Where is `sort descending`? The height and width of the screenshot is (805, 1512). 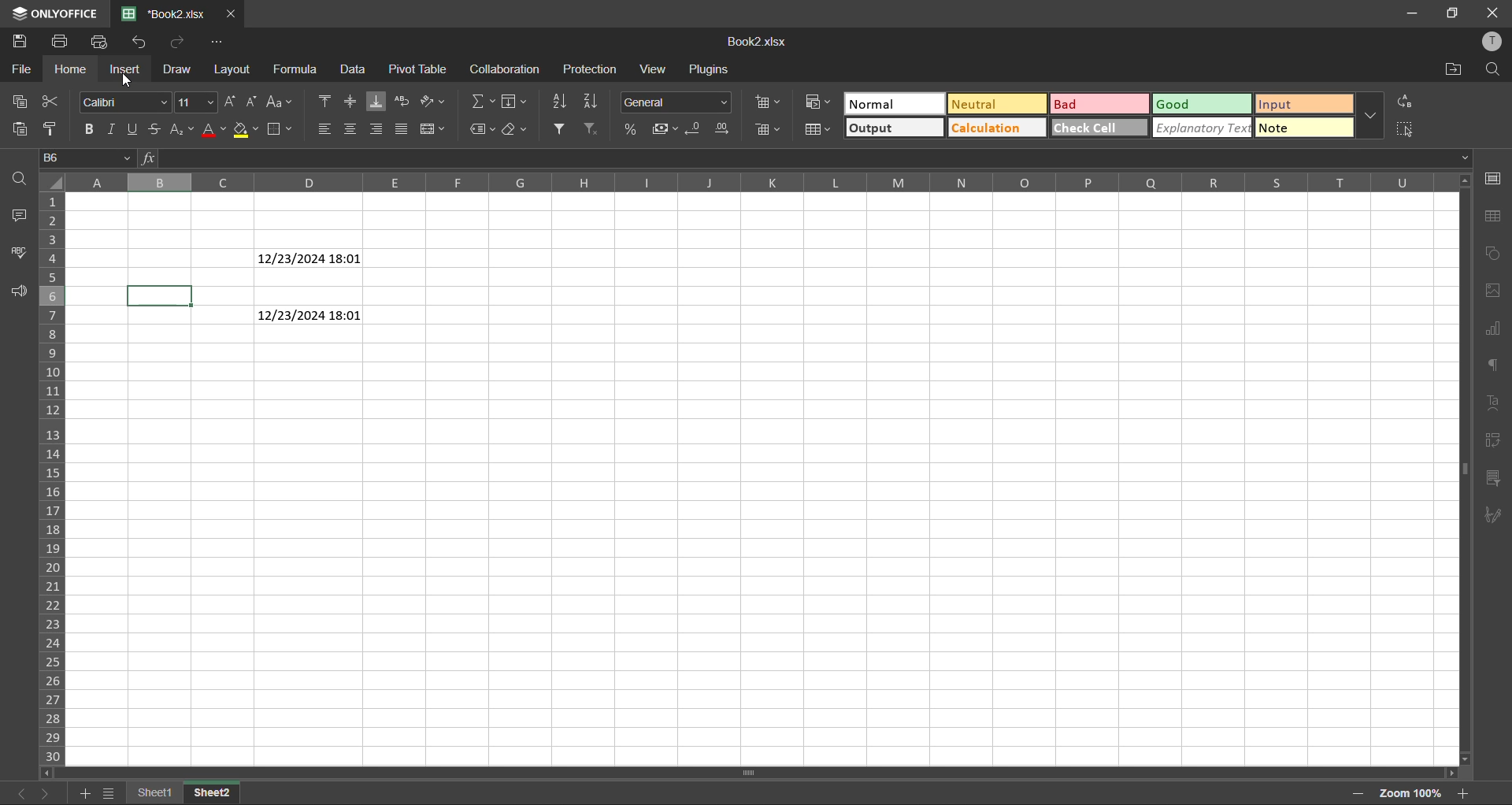 sort descending is located at coordinates (592, 101).